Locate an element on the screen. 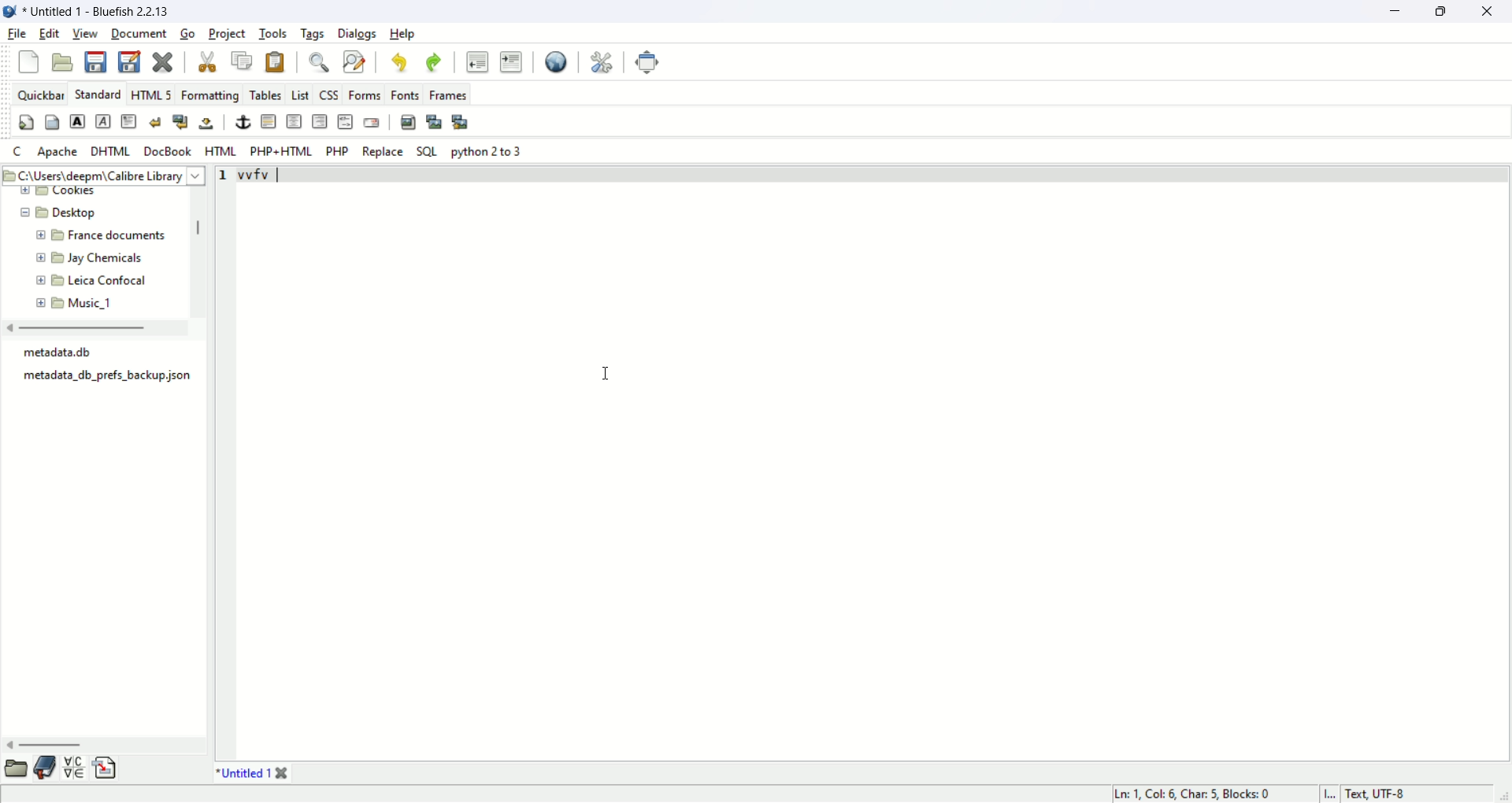  quick settings is located at coordinates (28, 122).